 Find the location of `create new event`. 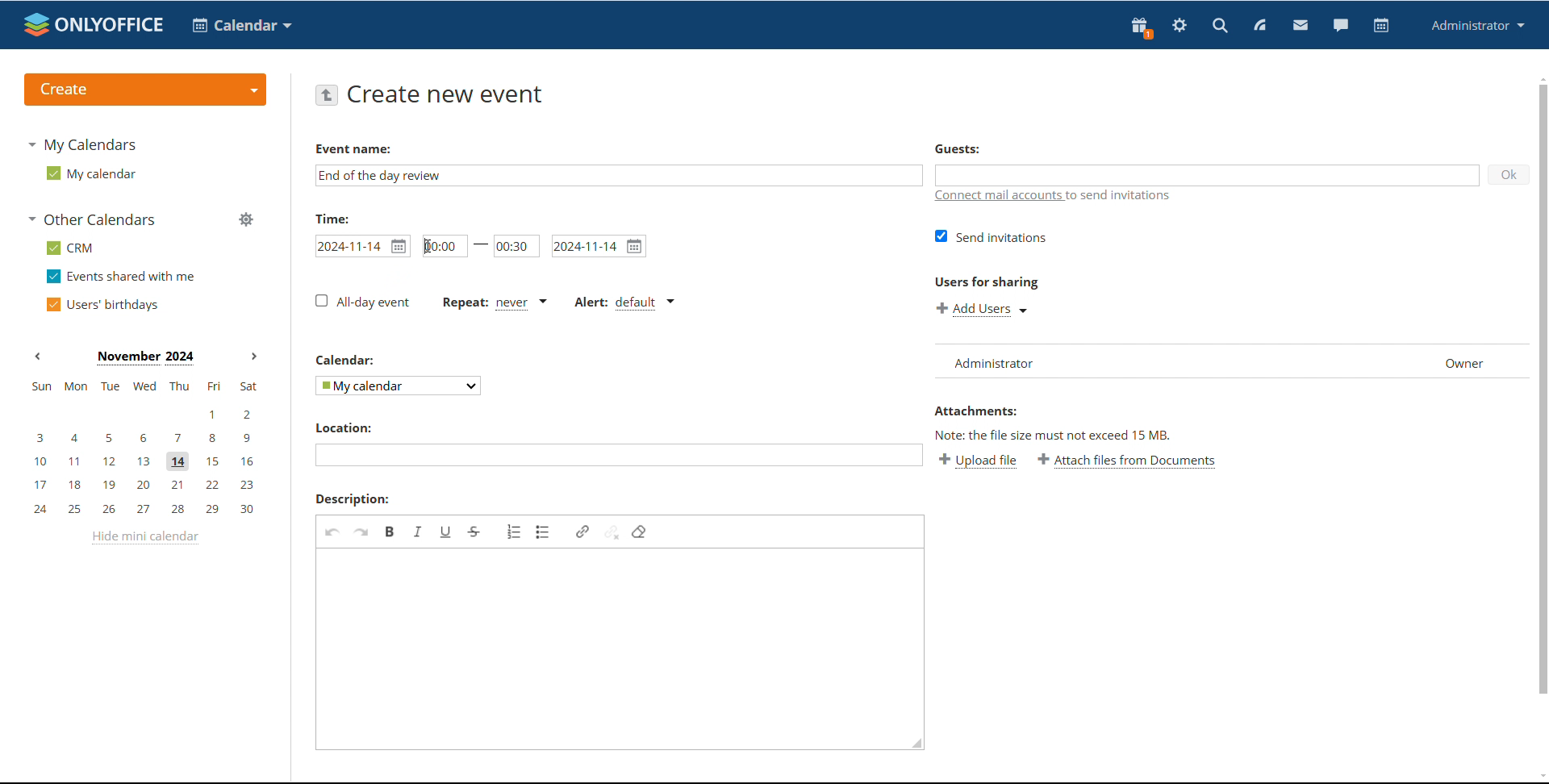

create new event is located at coordinates (449, 94).